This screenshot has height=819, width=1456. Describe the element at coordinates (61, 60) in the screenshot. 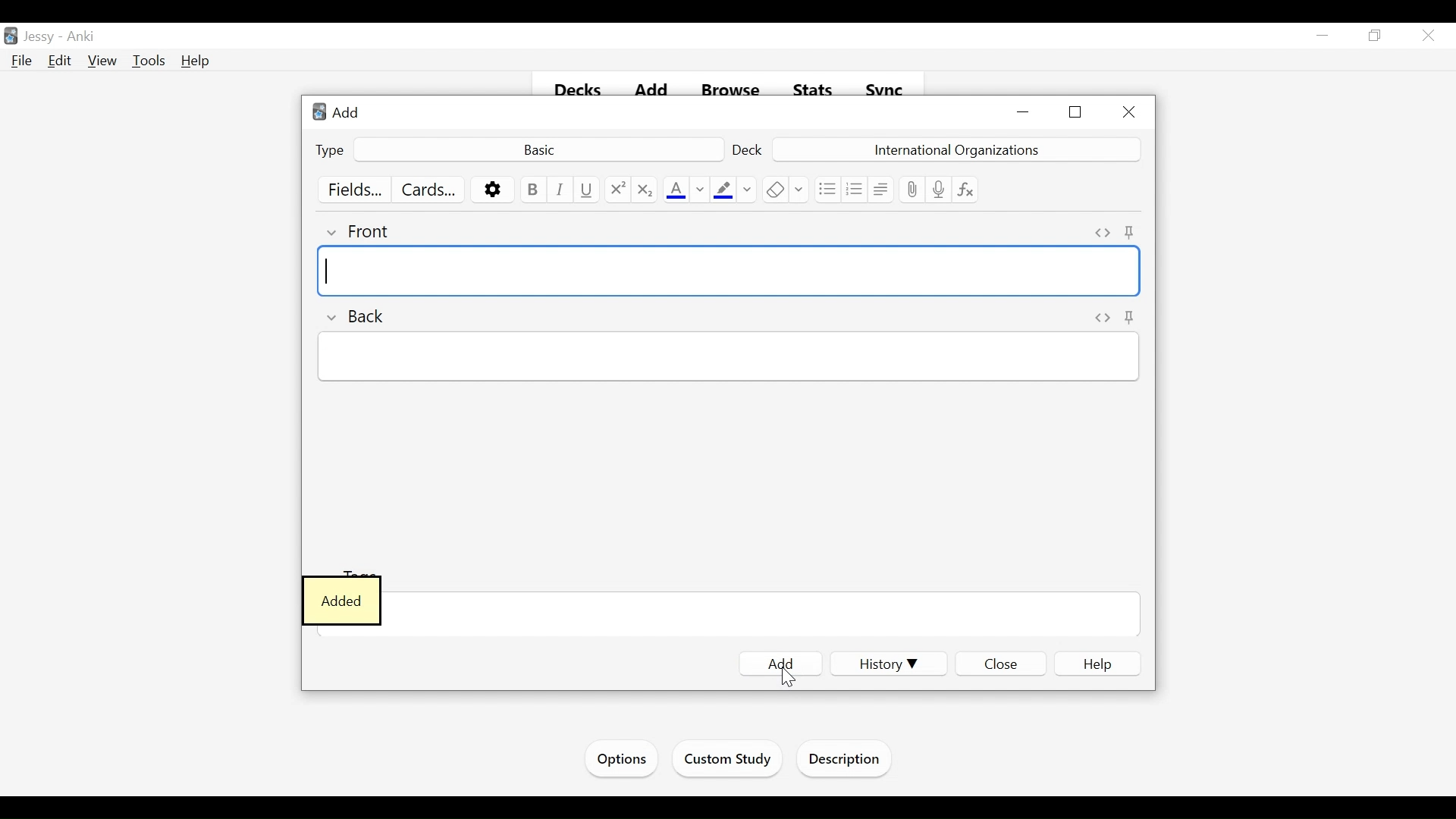

I see `Edit` at that location.